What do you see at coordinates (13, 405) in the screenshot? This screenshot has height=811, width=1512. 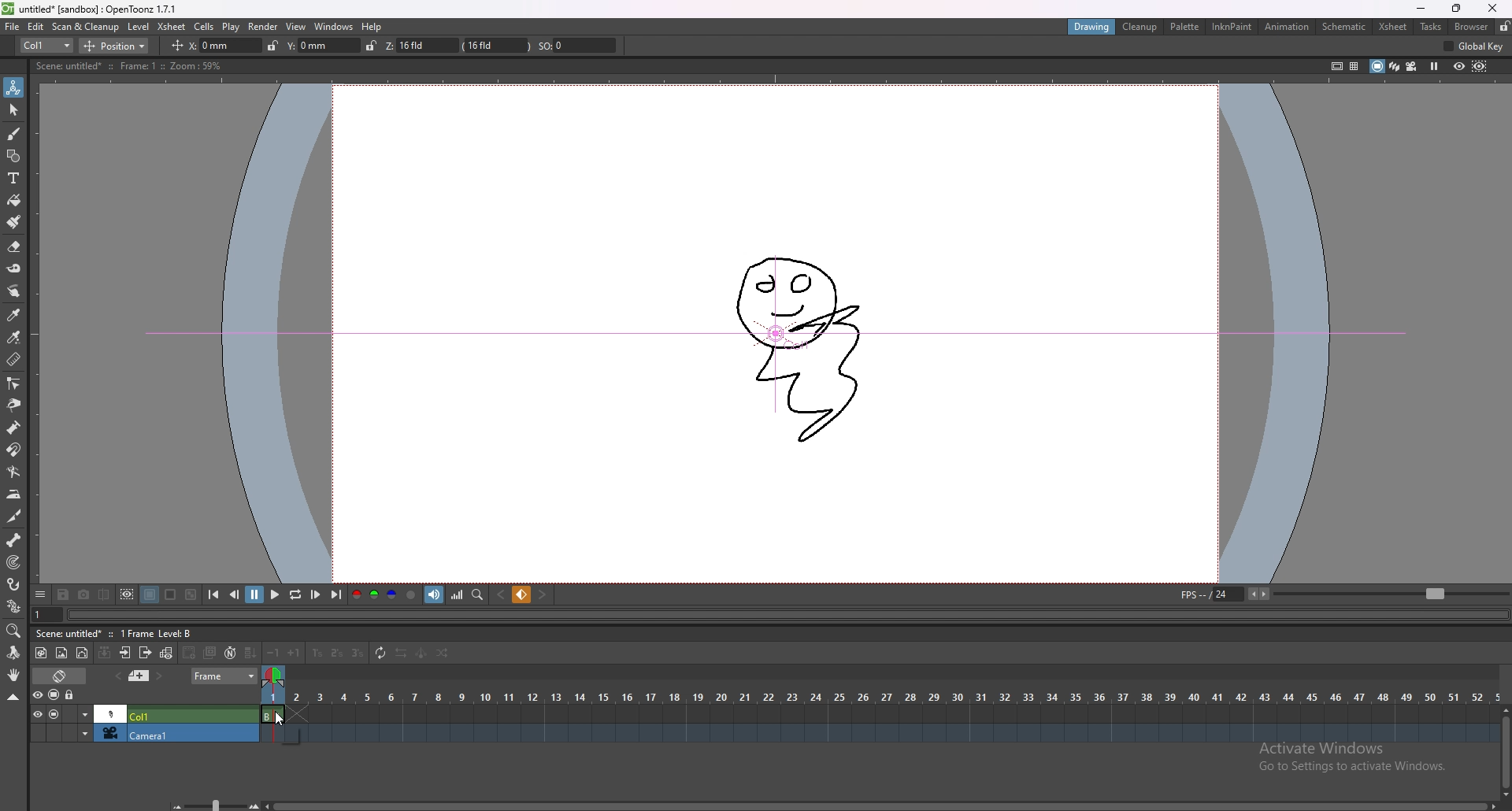 I see `pinch` at bounding box center [13, 405].